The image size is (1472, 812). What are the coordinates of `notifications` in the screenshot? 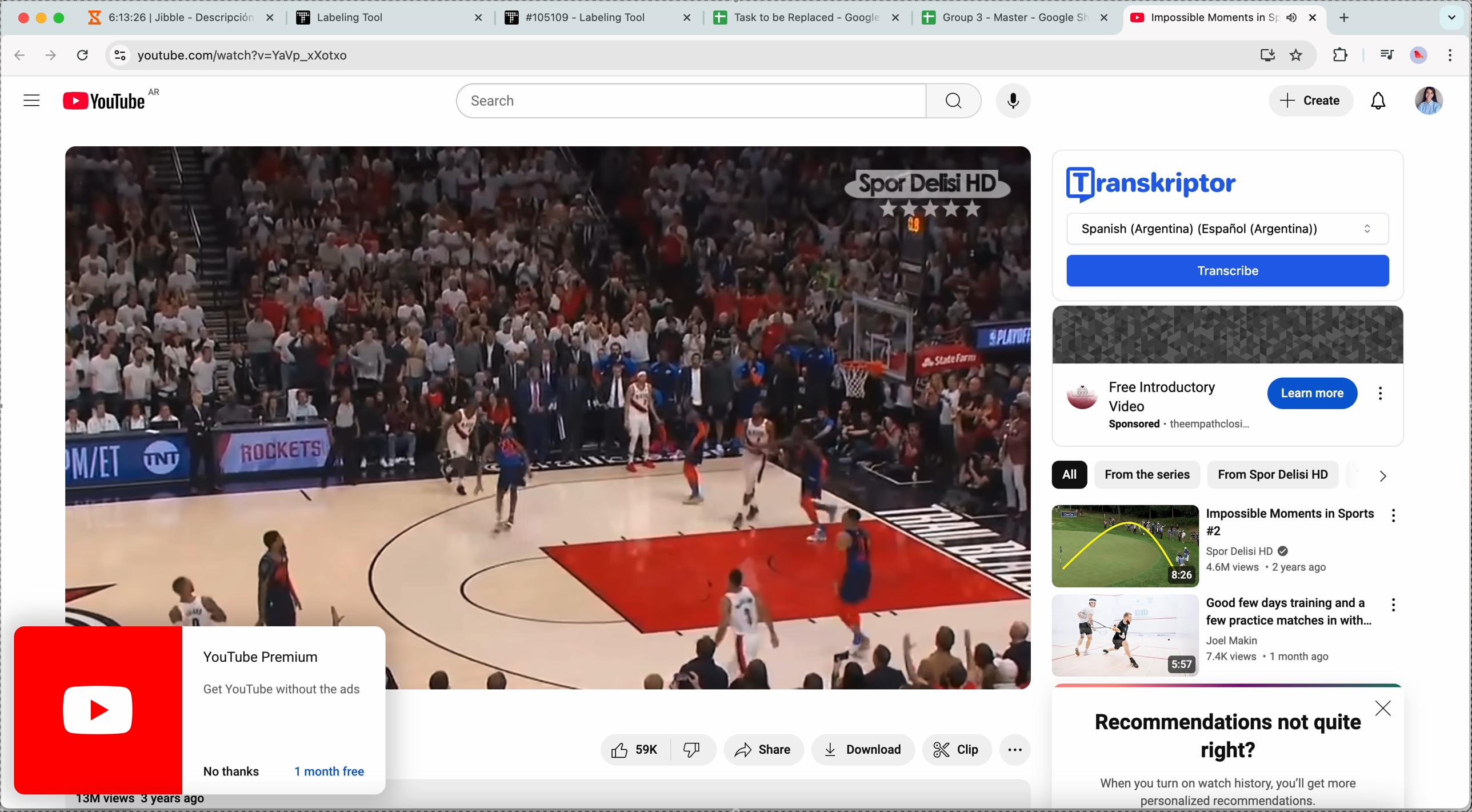 It's located at (1379, 102).